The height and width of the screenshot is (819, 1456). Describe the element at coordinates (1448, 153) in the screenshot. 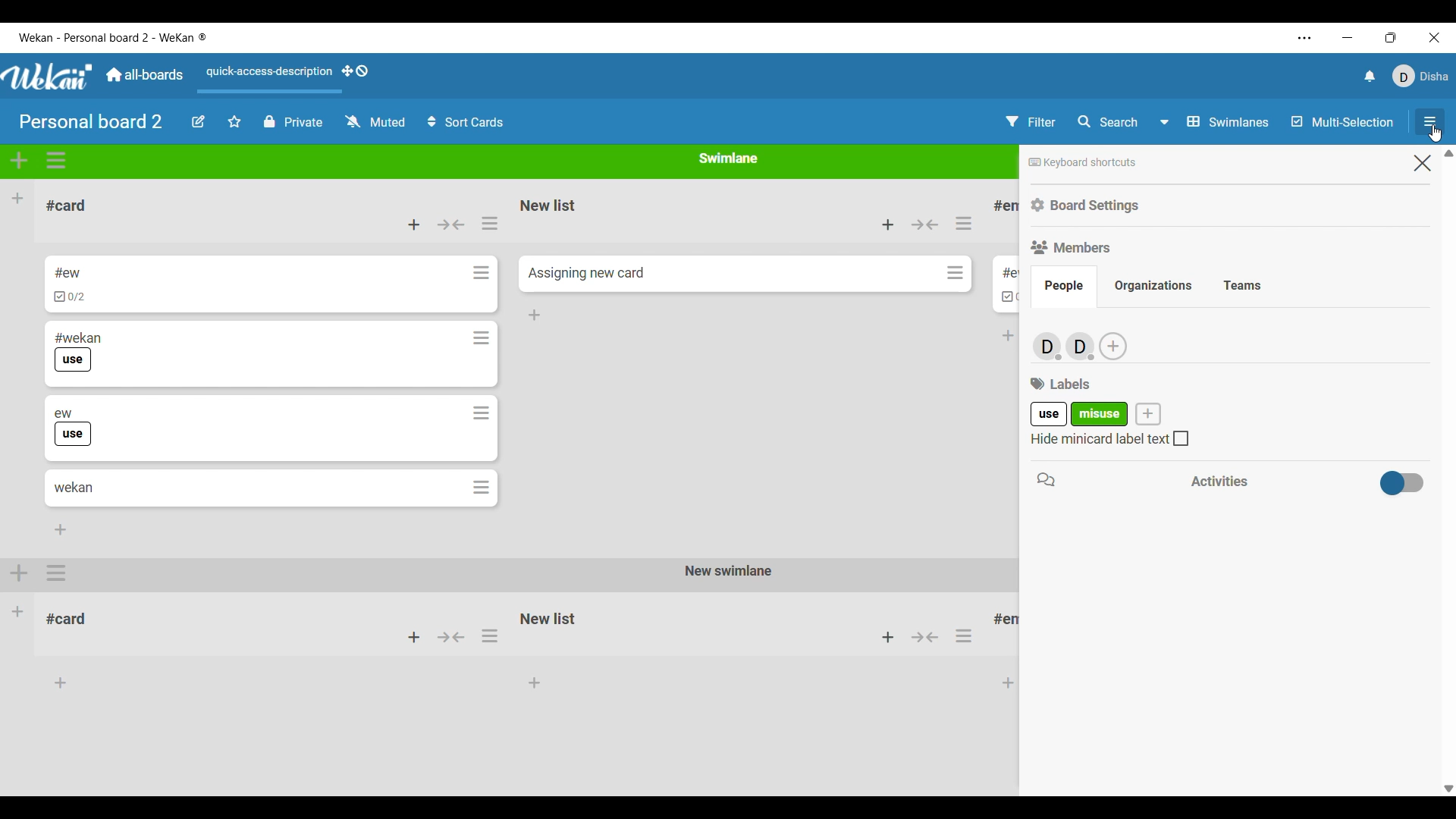

I see `Quick slide to top` at that location.